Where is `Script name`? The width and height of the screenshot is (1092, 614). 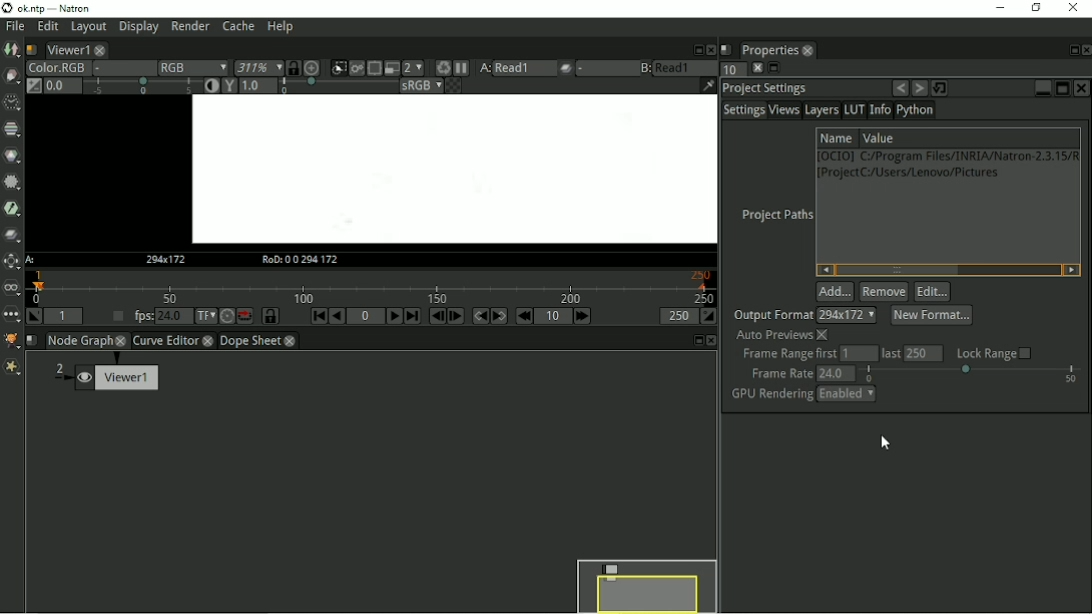
Script name is located at coordinates (34, 49).